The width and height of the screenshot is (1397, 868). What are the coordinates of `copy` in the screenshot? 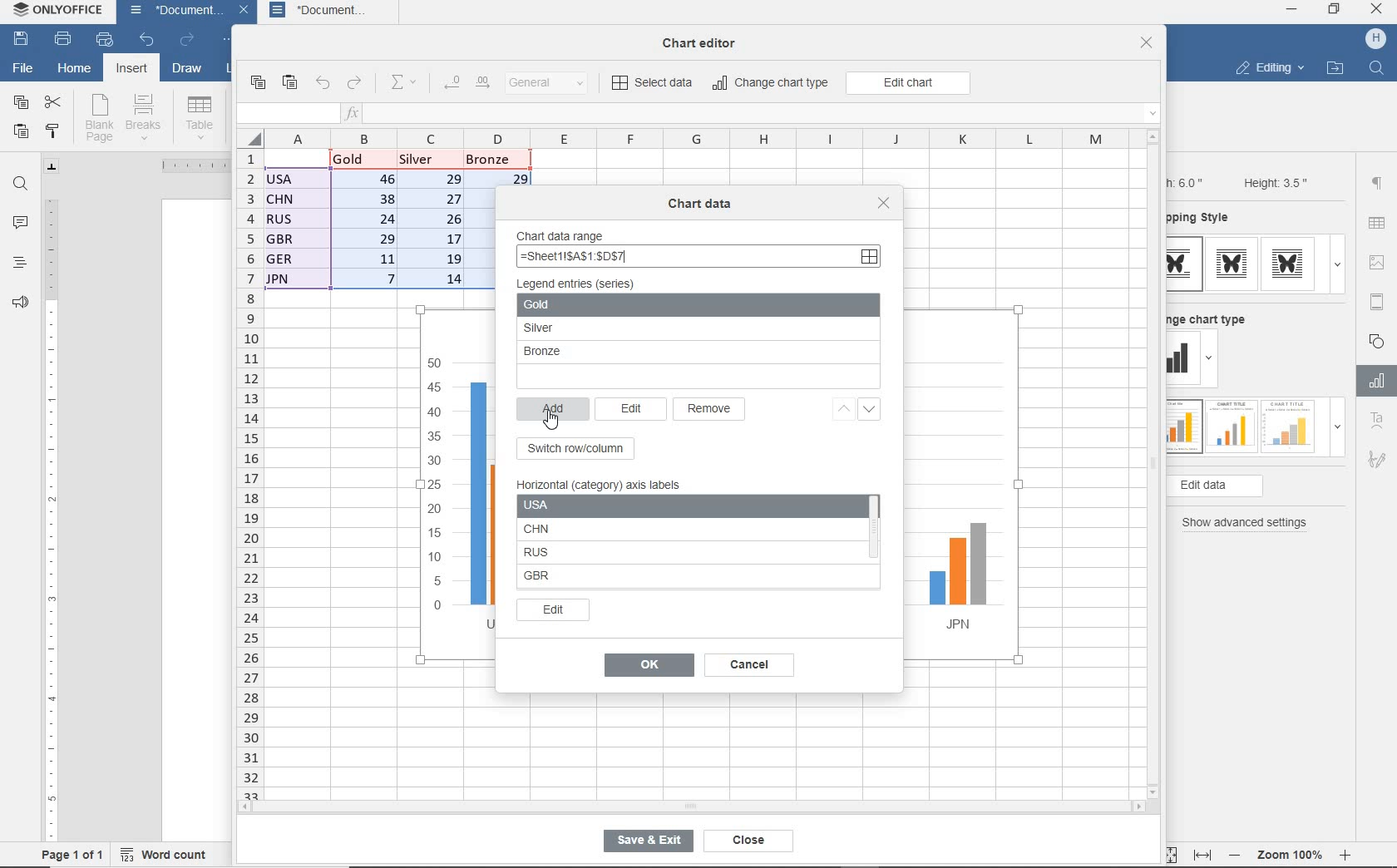 It's located at (257, 82).